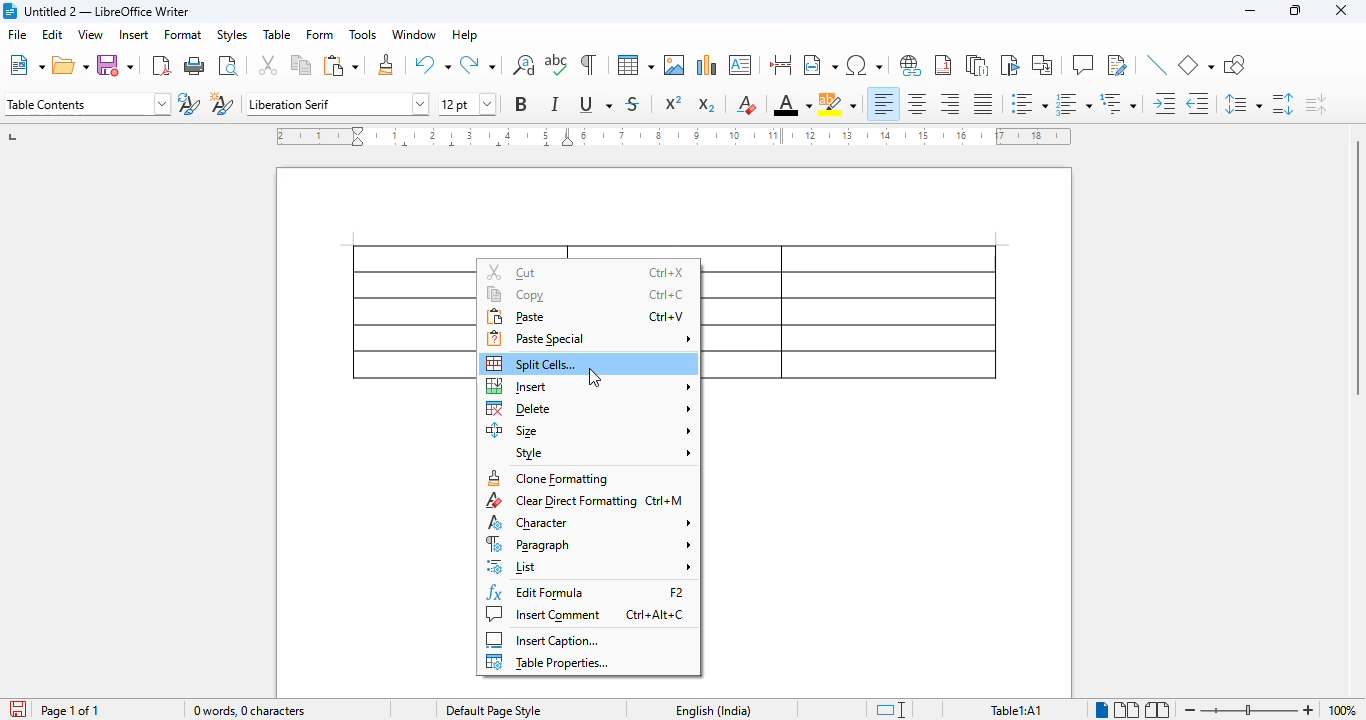 Image resolution: width=1366 pixels, height=720 pixels. What do you see at coordinates (633, 104) in the screenshot?
I see `strikethrough` at bounding box center [633, 104].